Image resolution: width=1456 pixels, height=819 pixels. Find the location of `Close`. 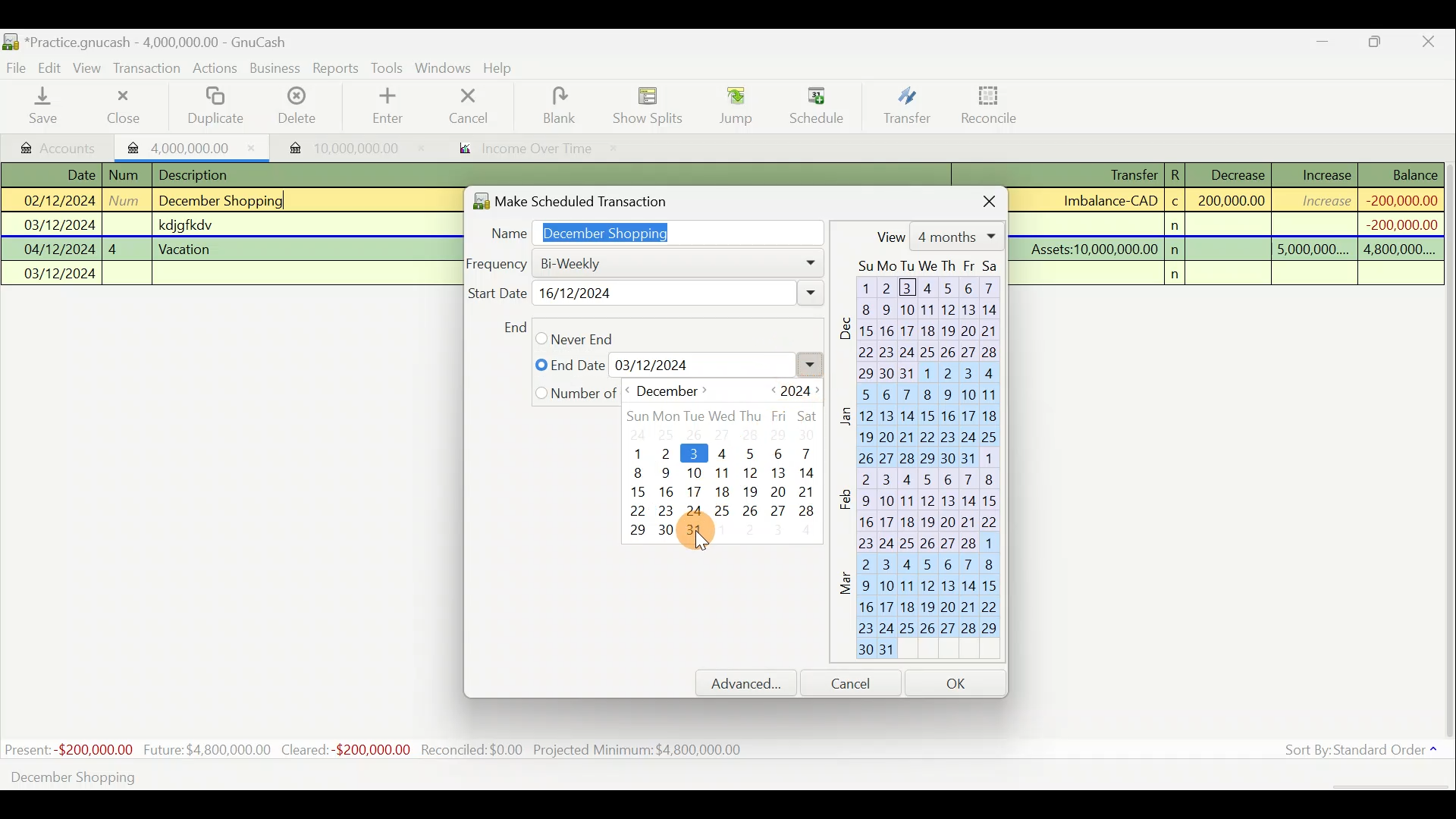

Close is located at coordinates (1429, 44).